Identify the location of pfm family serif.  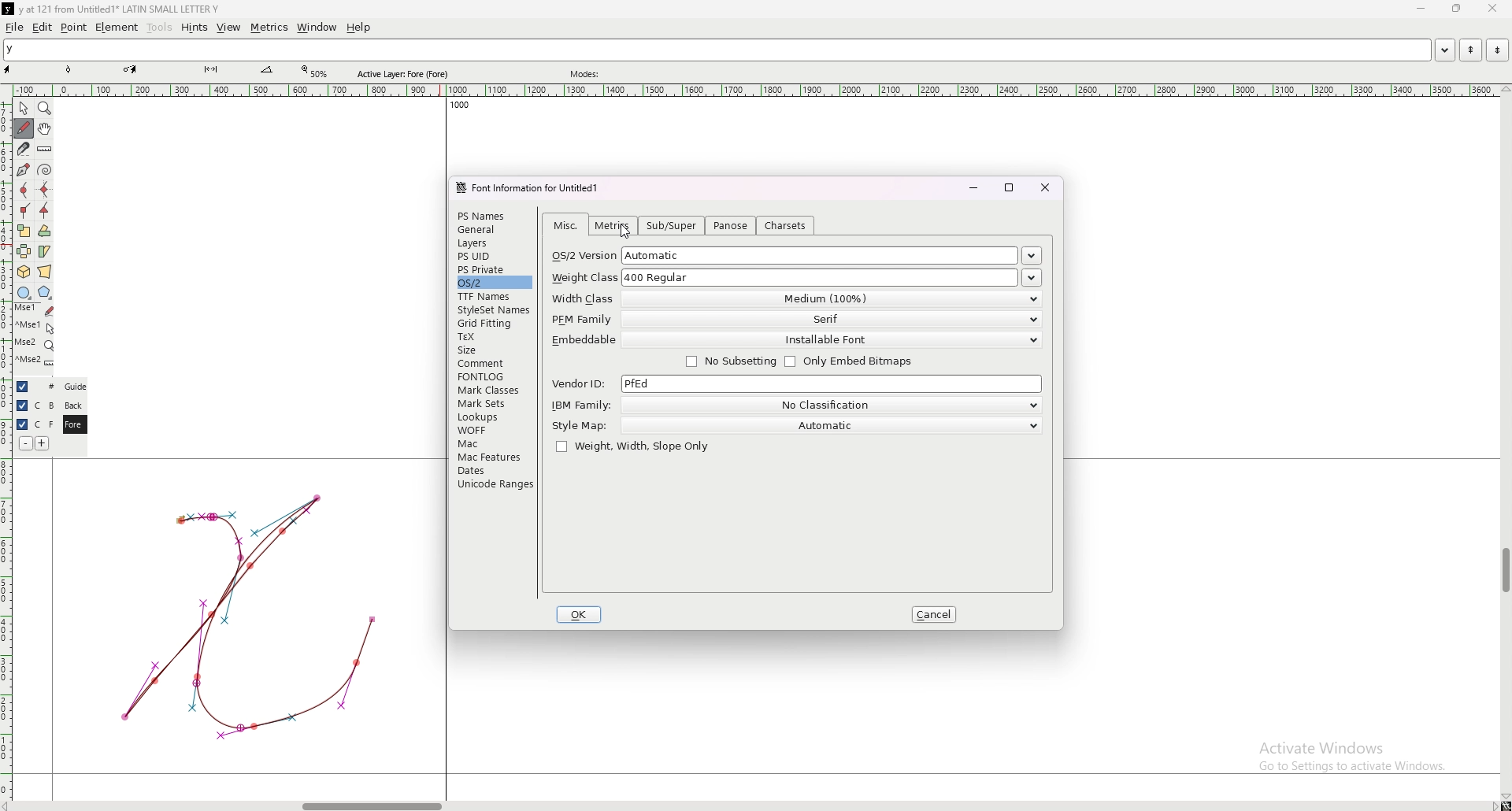
(795, 320).